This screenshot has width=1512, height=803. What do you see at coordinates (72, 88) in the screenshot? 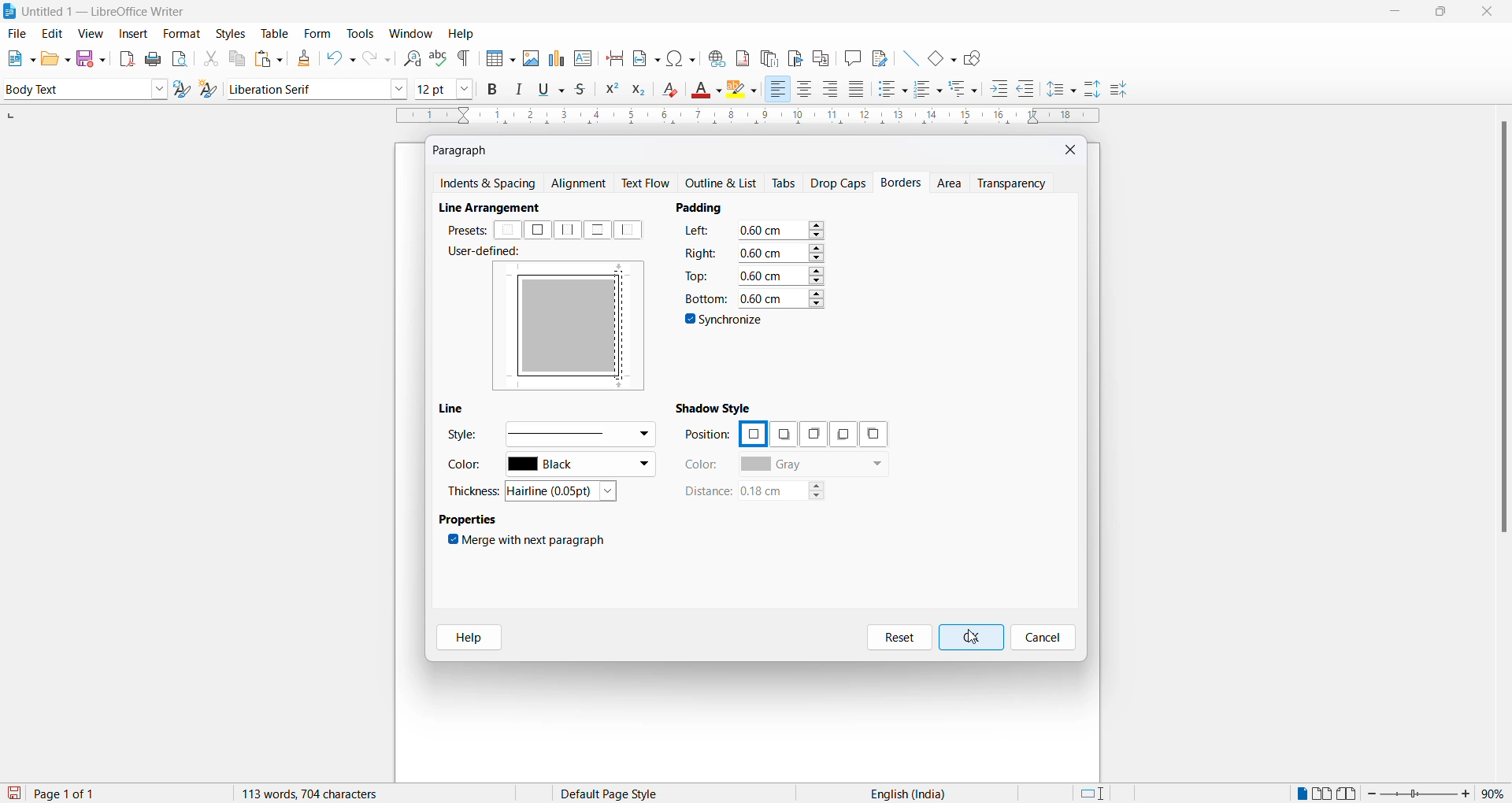
I see `style` at bounding box center [72, 88].